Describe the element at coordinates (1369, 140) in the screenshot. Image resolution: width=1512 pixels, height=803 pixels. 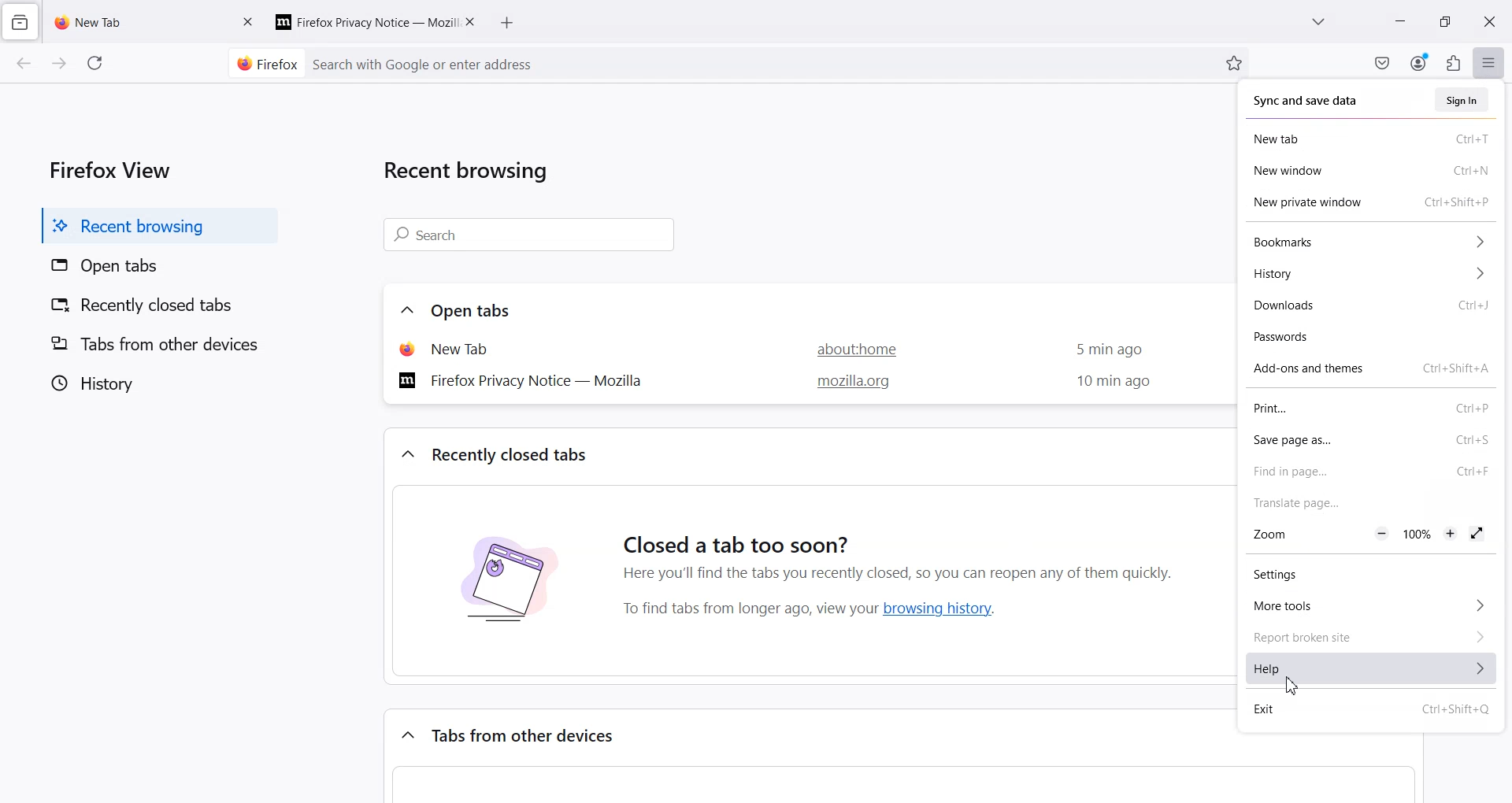
I see `New tab` at that location.